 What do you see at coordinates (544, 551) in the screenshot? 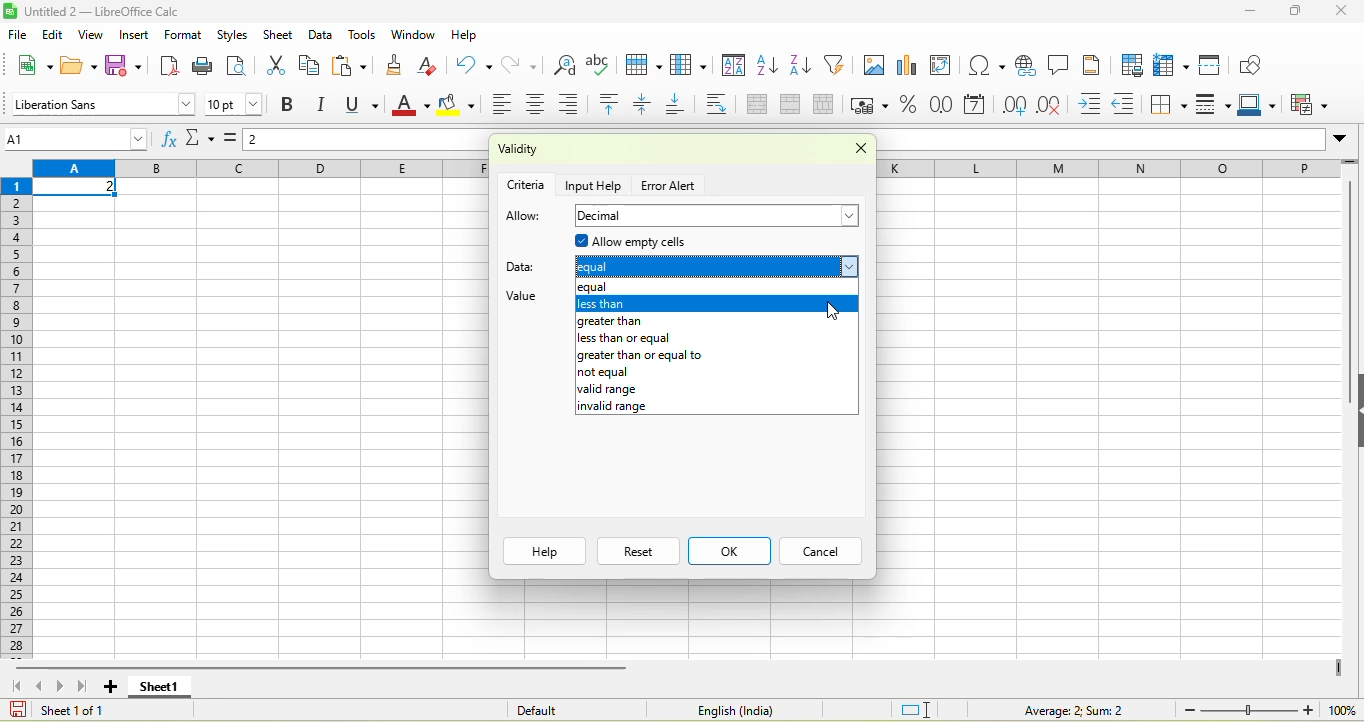
I see `help` at bounding box center [544, 551].